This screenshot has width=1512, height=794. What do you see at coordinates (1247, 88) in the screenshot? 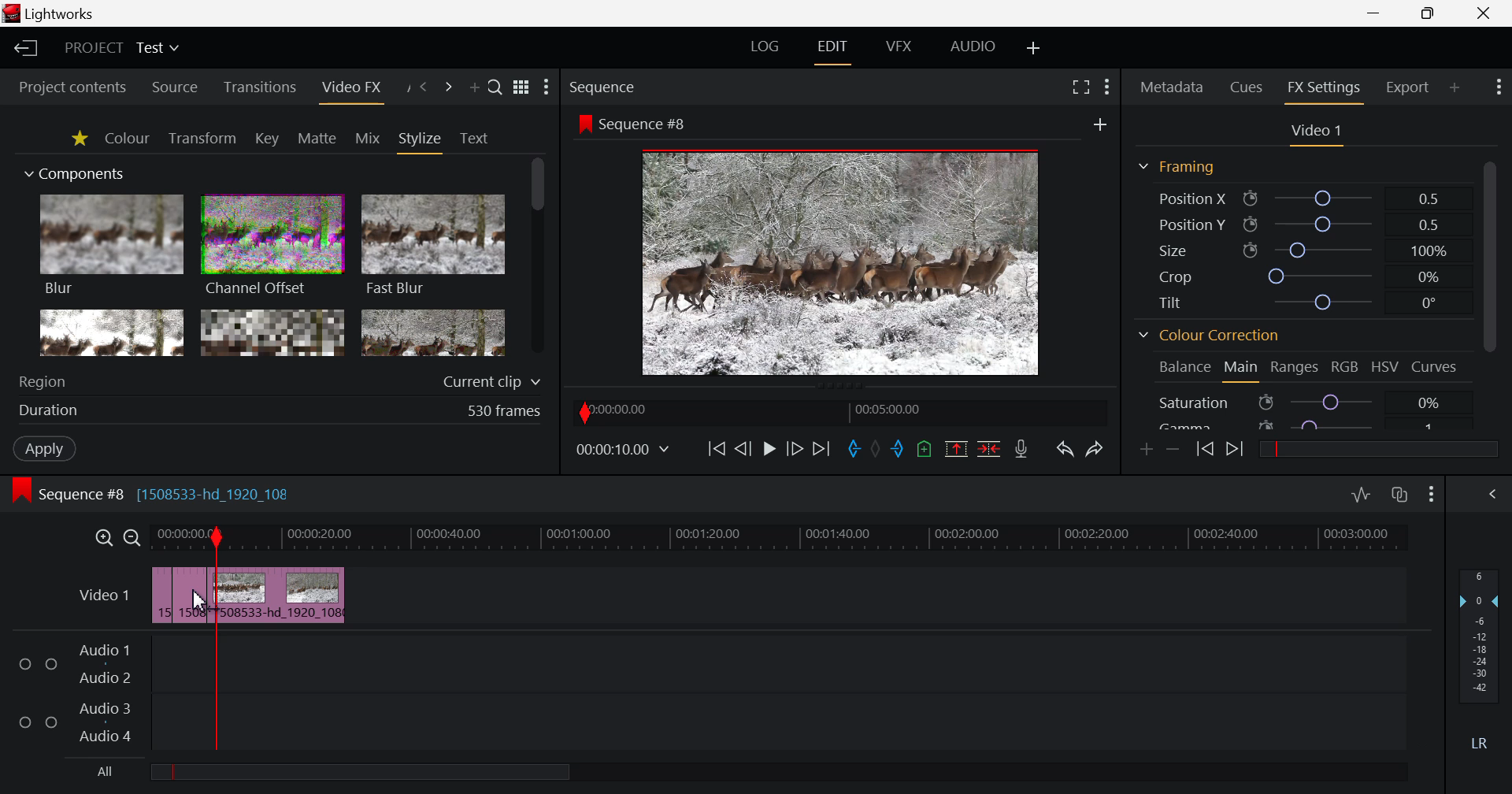
I see `Cues` at bounding box center [1247, 88].